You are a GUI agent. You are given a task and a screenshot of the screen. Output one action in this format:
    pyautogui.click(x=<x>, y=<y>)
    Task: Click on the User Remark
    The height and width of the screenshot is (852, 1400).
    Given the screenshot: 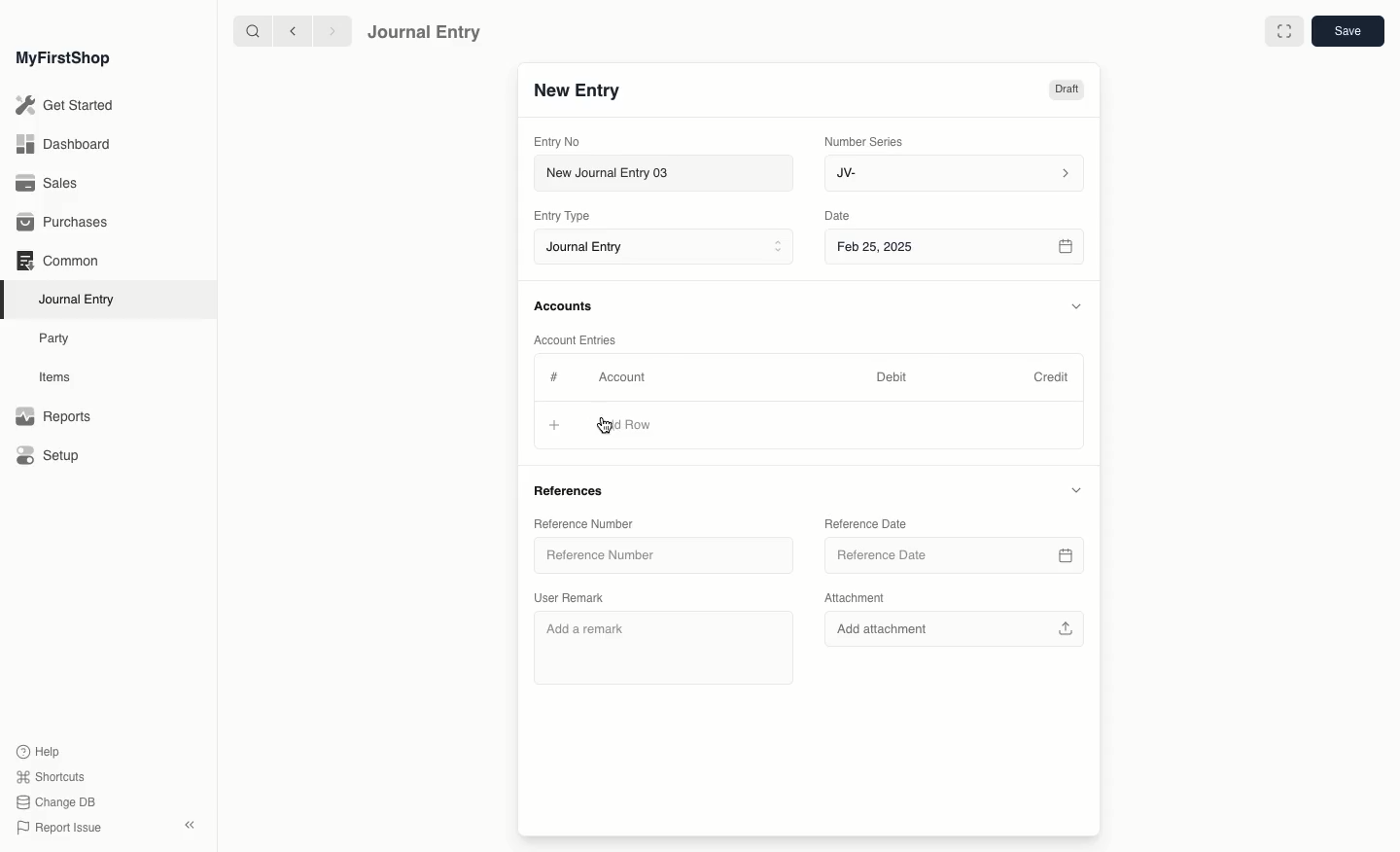 What is the action you would take?
    pyautogui.click(x=574, y=596)
    